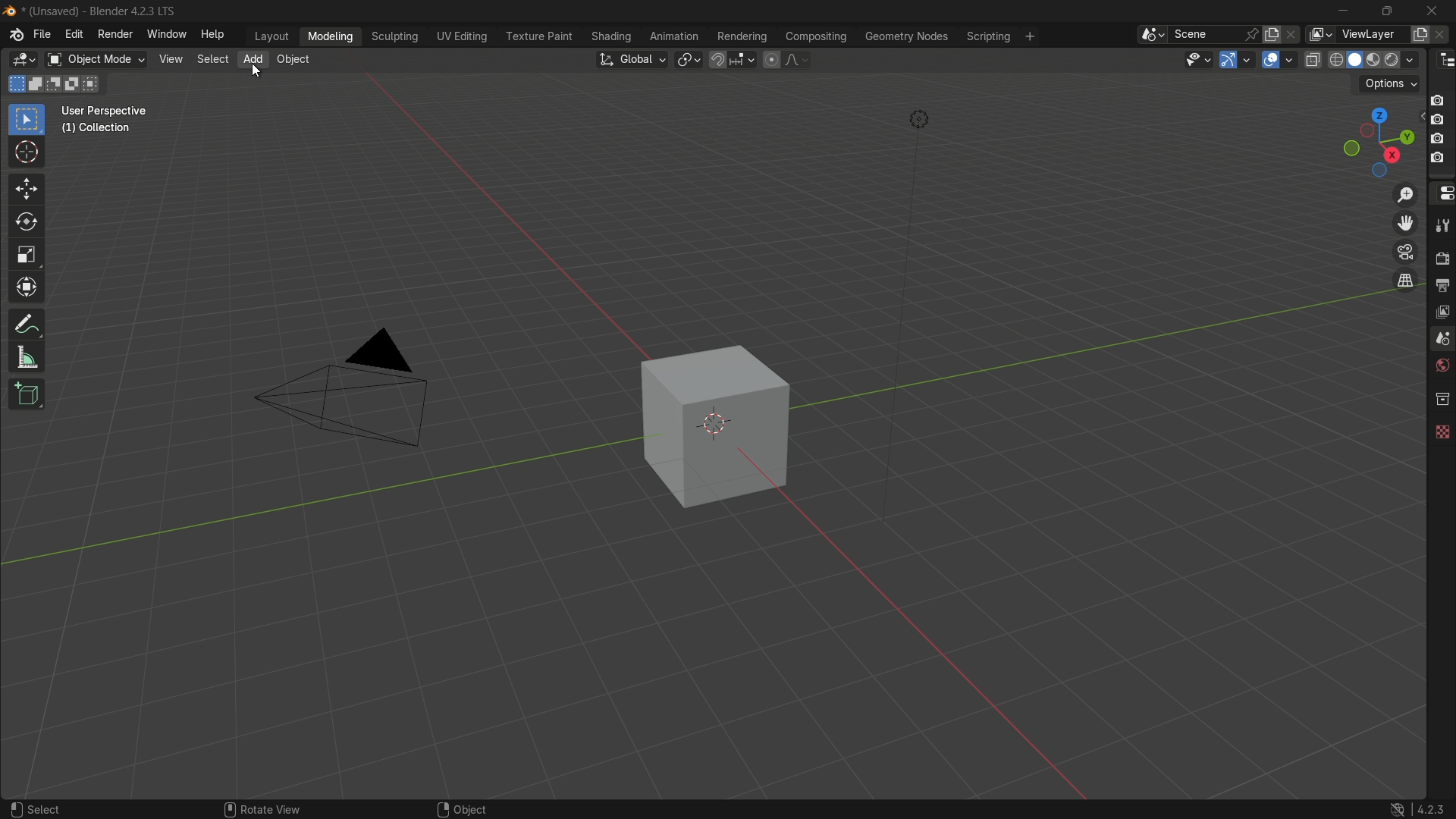 Image resolution: width=1456 pixels, height=819 pixels. What do you see at coordinates (76, 34) in the screenshot?
I see `edit menu` at bounding box center [76, 34].